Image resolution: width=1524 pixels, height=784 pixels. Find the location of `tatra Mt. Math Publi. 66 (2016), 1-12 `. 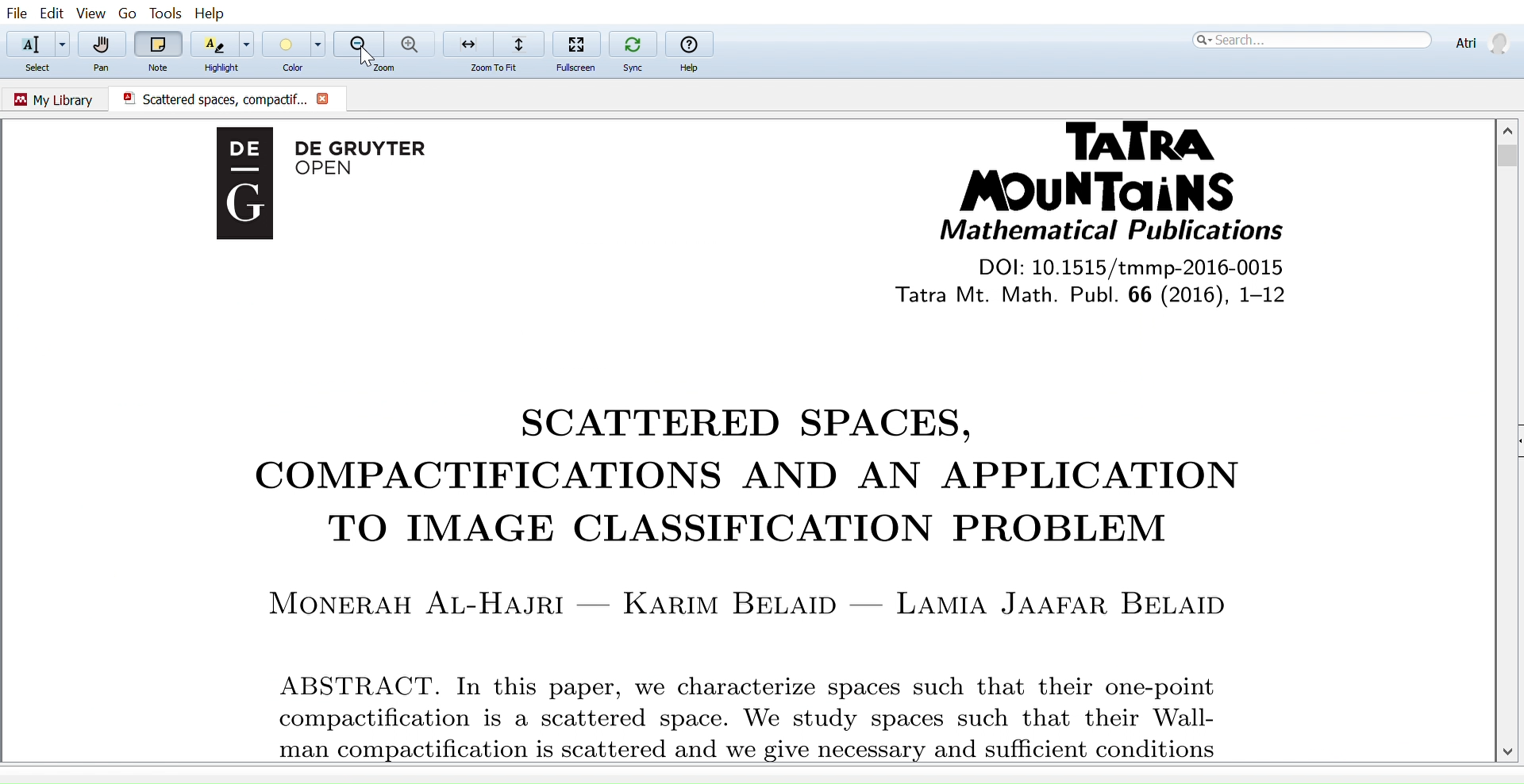

tatra Mt. Math Publi. 66 (2016), 1-12  is located at coordinates (1096, 297).